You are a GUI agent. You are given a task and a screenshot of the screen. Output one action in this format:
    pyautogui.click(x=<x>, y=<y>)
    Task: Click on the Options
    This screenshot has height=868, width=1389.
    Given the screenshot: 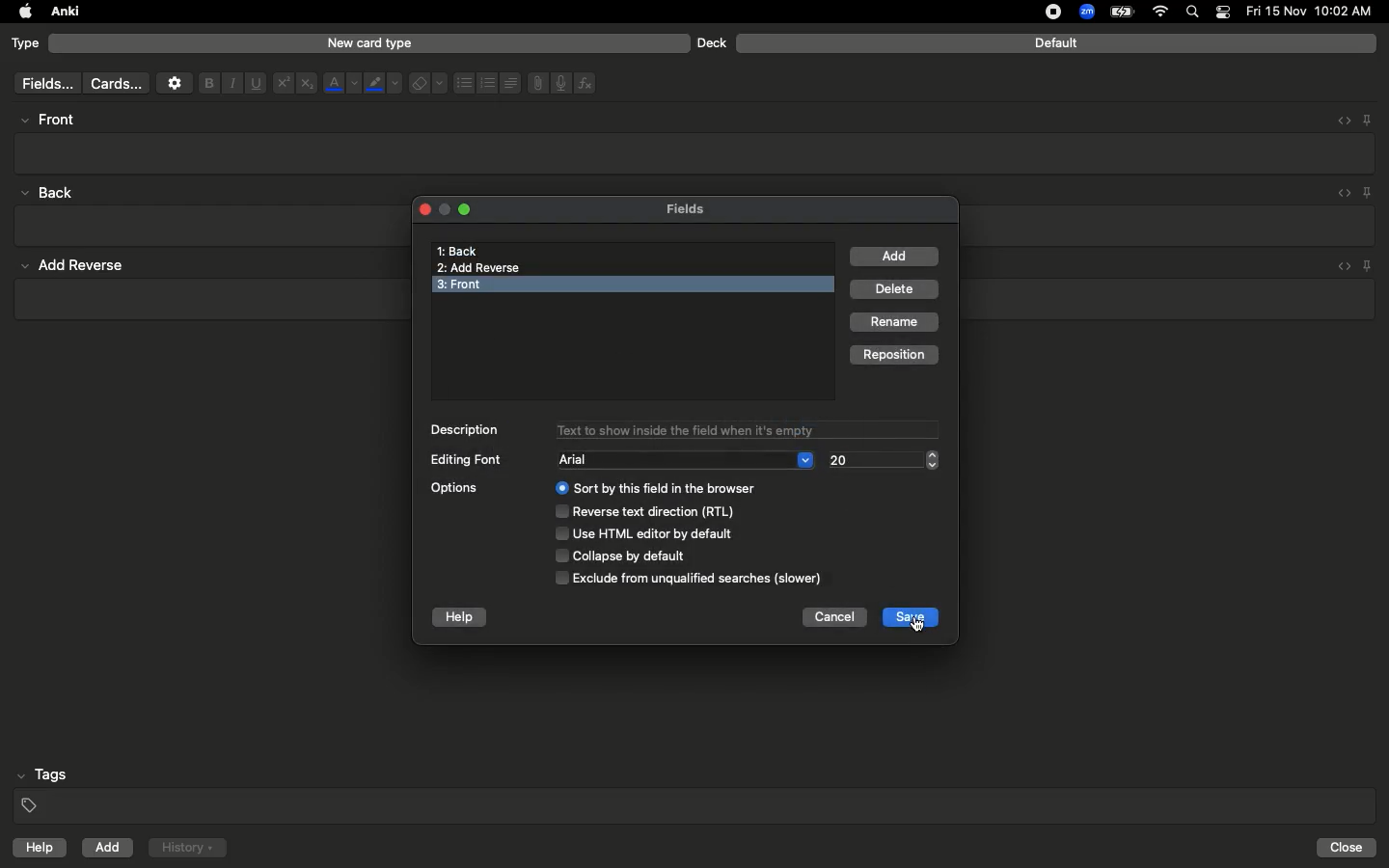 What is the action you would take?
    pyautogui.click(x=638, y=532)
    